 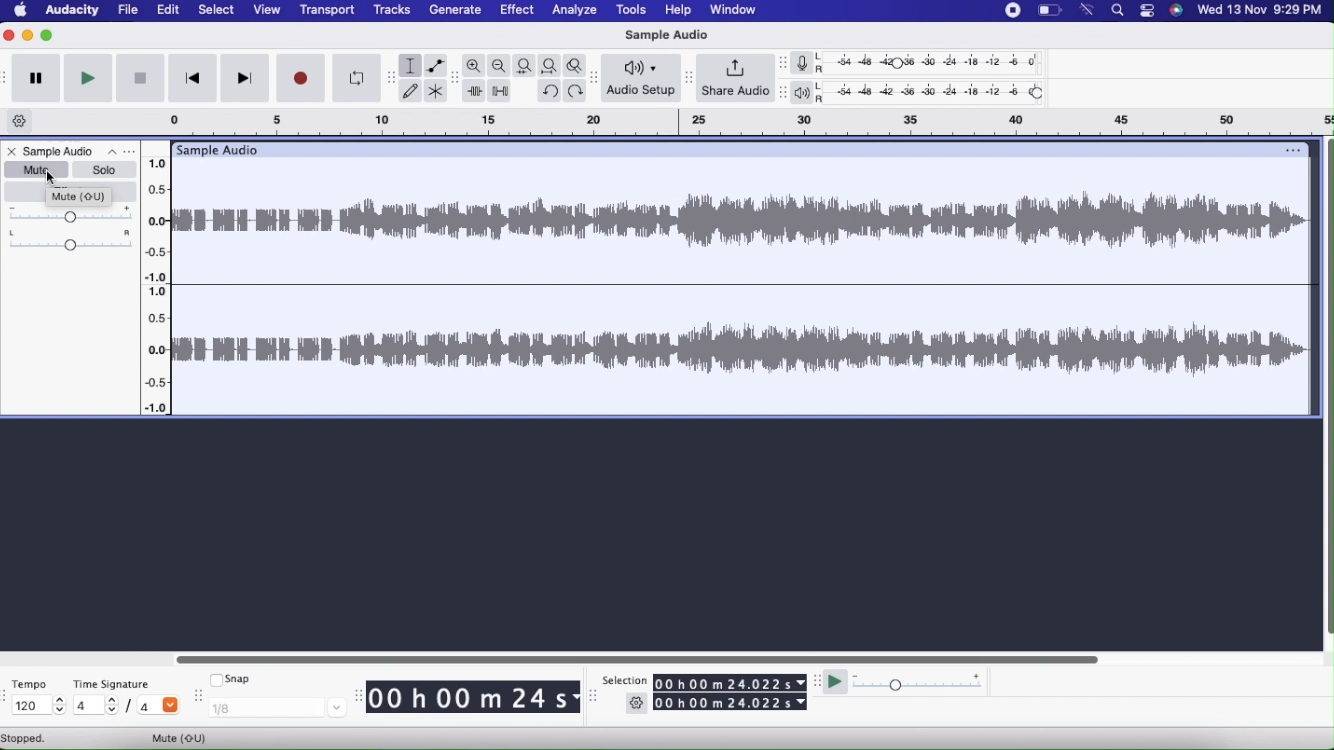 I want to click on Trim audio outside selection, so click(x=476, y=90).